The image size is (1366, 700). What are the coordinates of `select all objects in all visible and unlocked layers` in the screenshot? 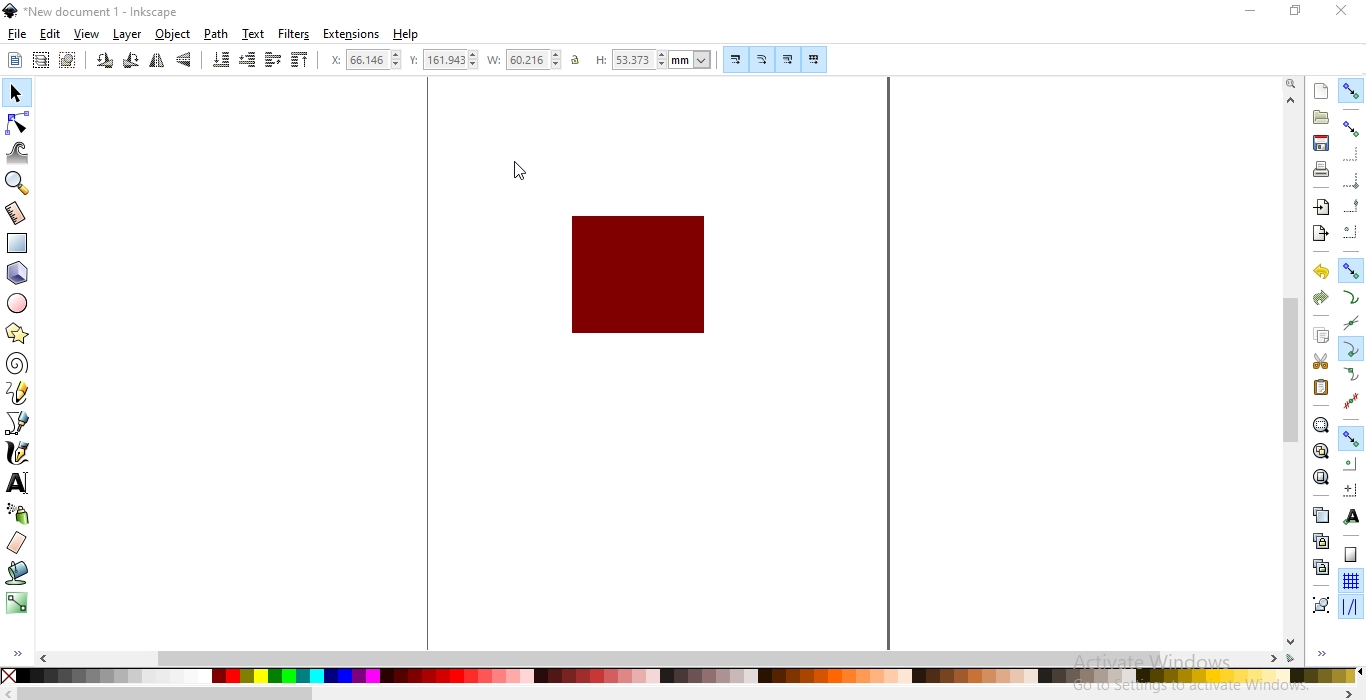 It's located at (40, 62).